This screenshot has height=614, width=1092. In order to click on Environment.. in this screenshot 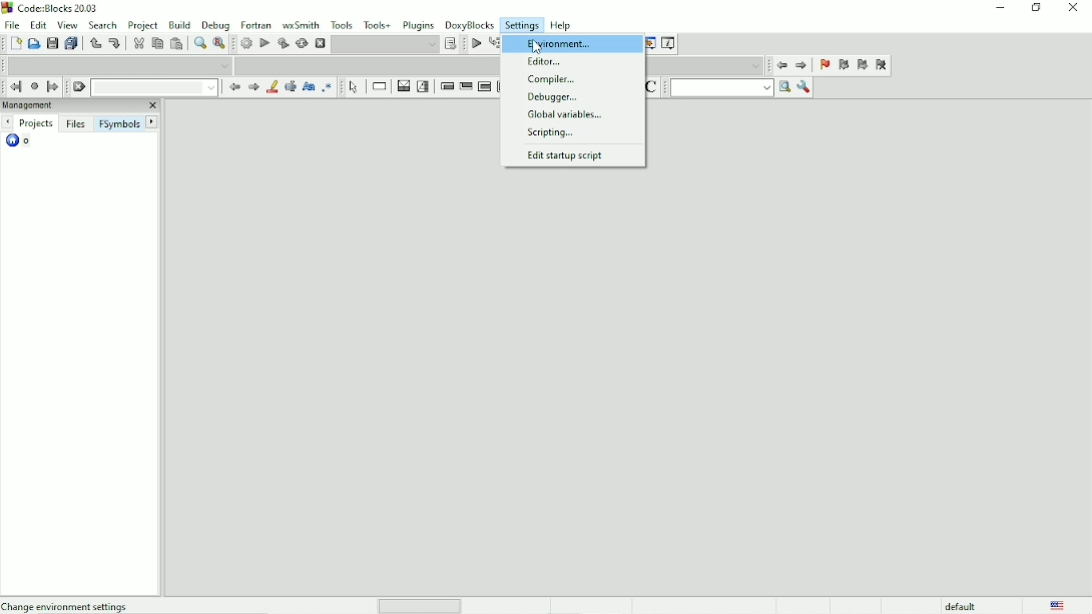, I will do `click(556, 44)`.